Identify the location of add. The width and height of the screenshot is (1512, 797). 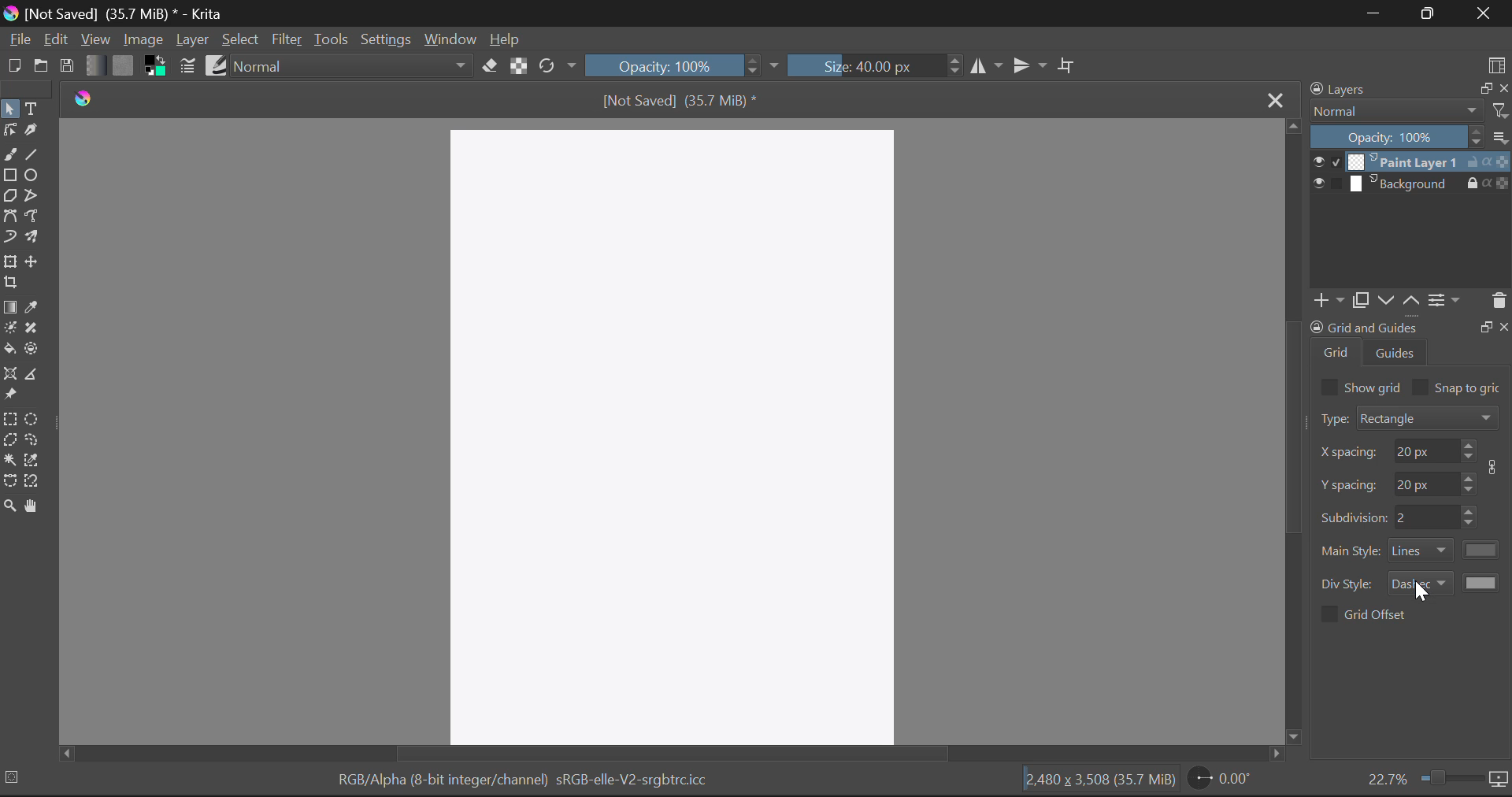
(1326, 301).